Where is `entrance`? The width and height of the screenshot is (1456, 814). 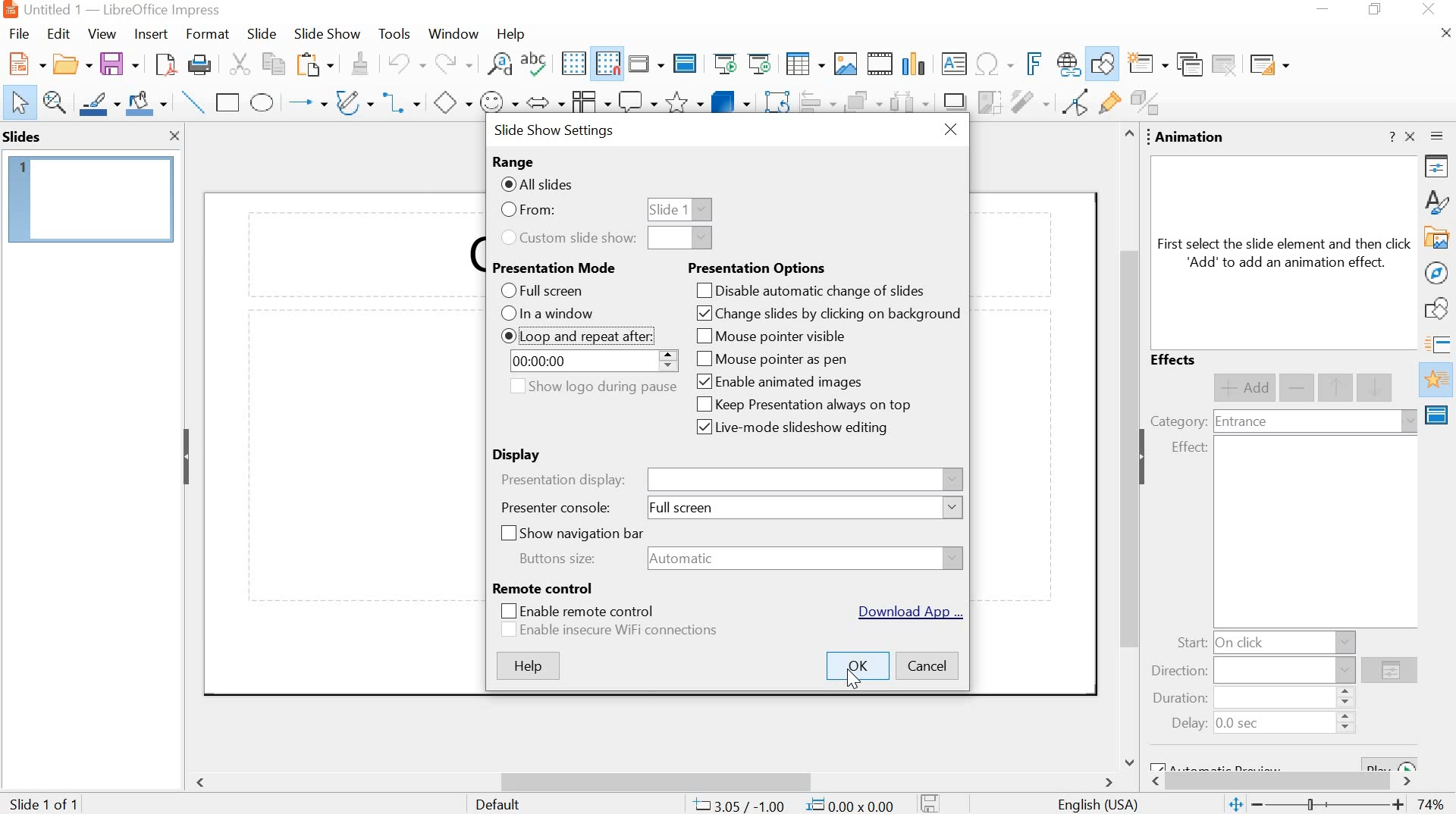 entrance is located at coordinates (1241, 423).